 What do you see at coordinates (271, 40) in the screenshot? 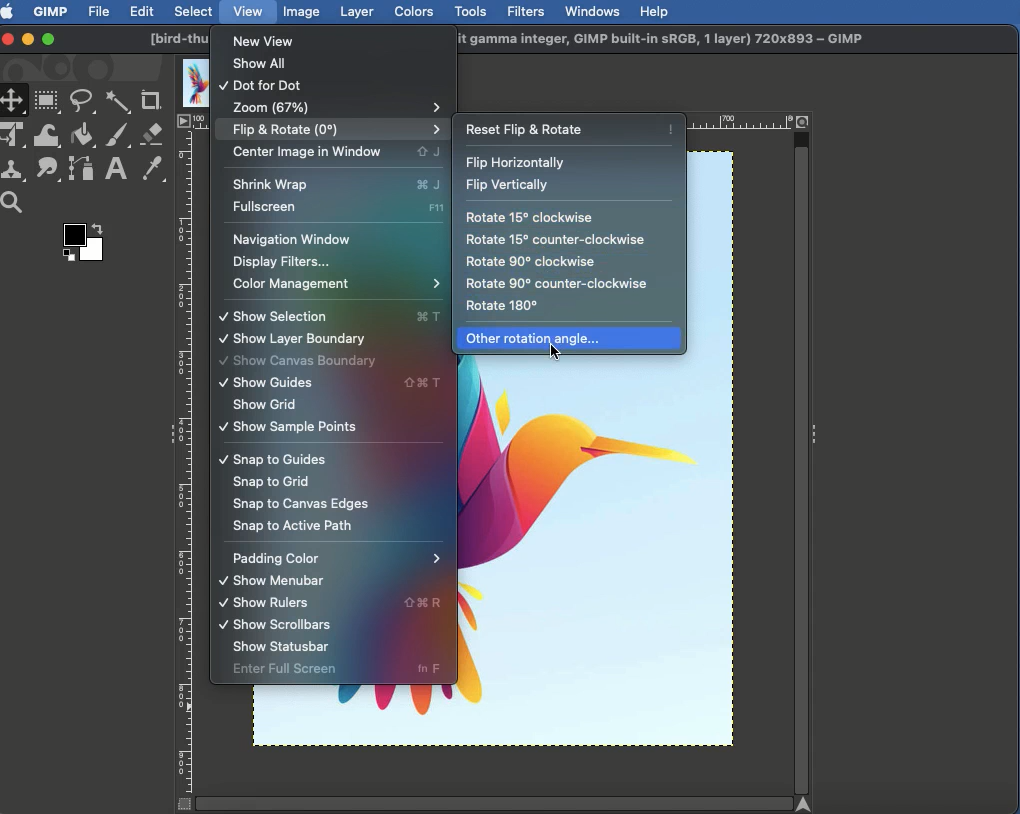
I see `New view` at bounding box center [271, 40].